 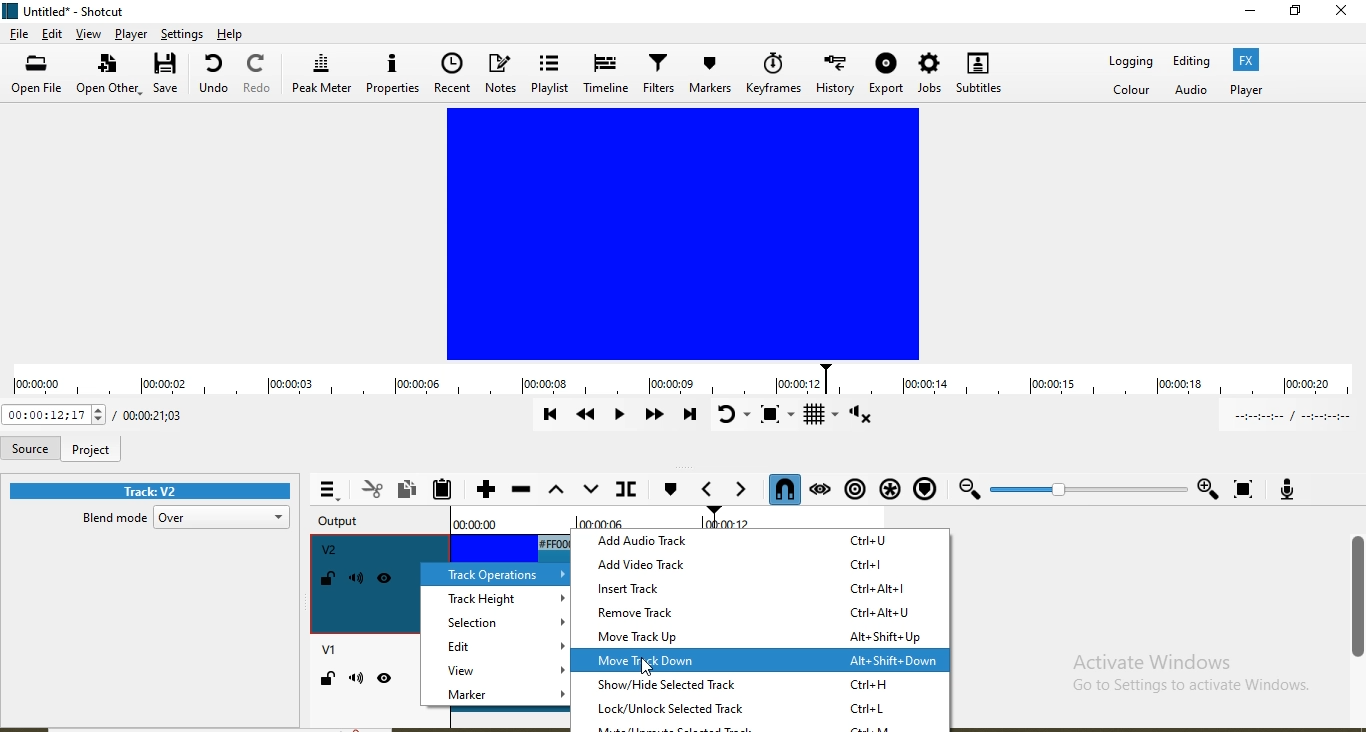 What do you see at coordinates (712, 72) in the screenshot?
I see `Markers` at bounding box center [712, 72].